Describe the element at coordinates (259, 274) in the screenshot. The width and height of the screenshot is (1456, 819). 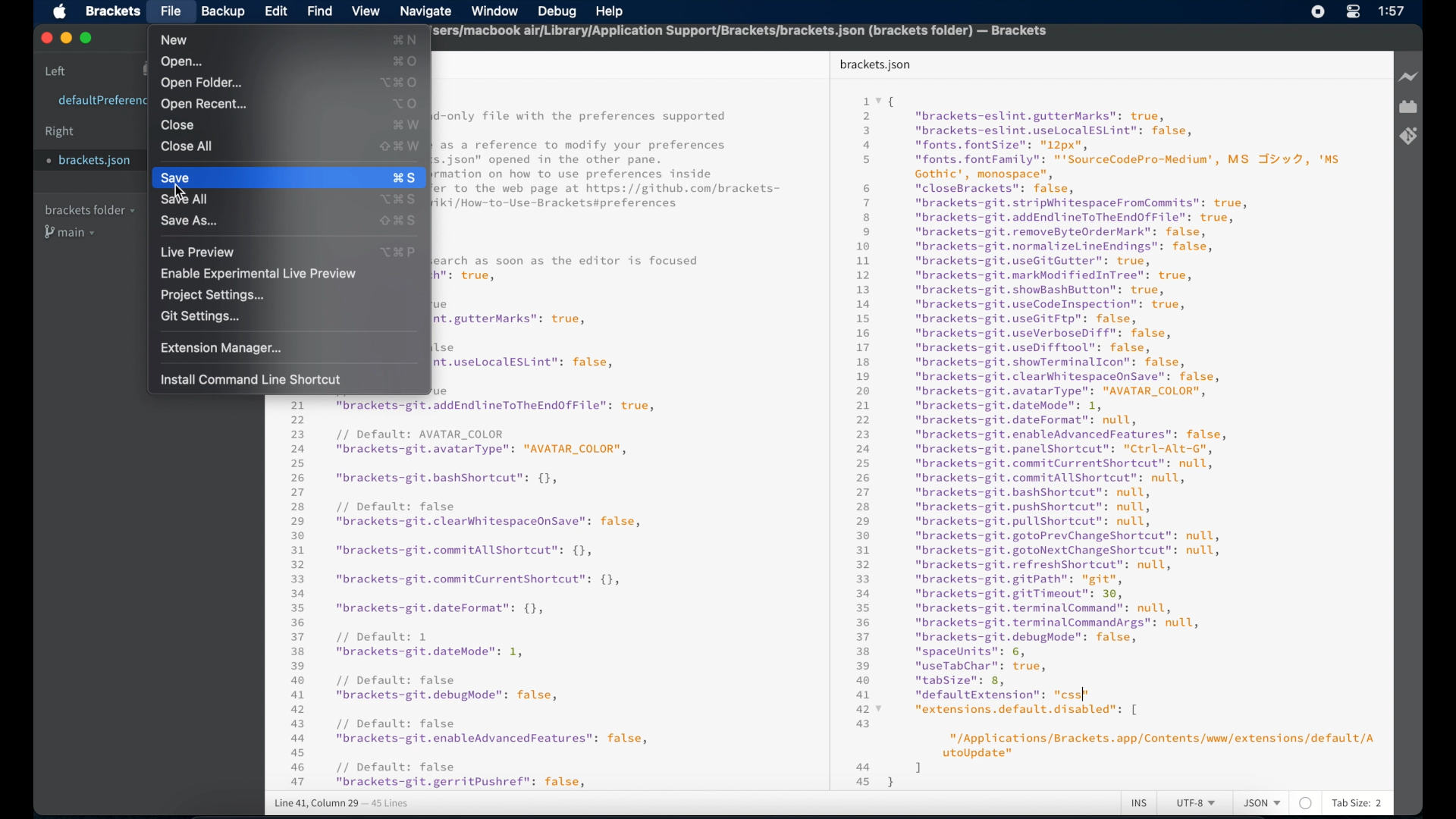
I see `enable experimental live preview` at that location.